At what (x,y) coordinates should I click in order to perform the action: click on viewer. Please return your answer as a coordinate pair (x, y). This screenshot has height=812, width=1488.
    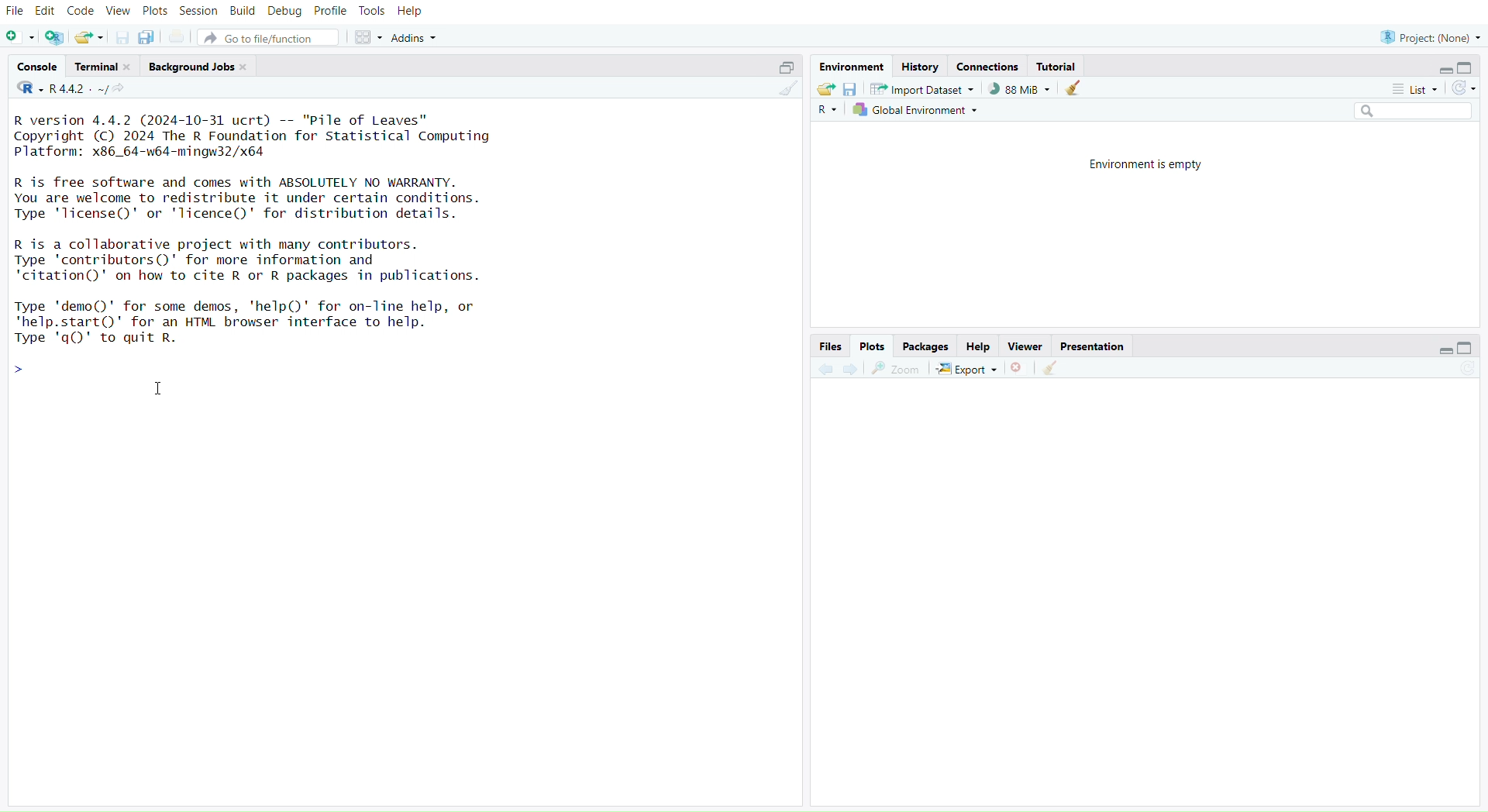
    Looking at the image, I should click on (1026, 347).